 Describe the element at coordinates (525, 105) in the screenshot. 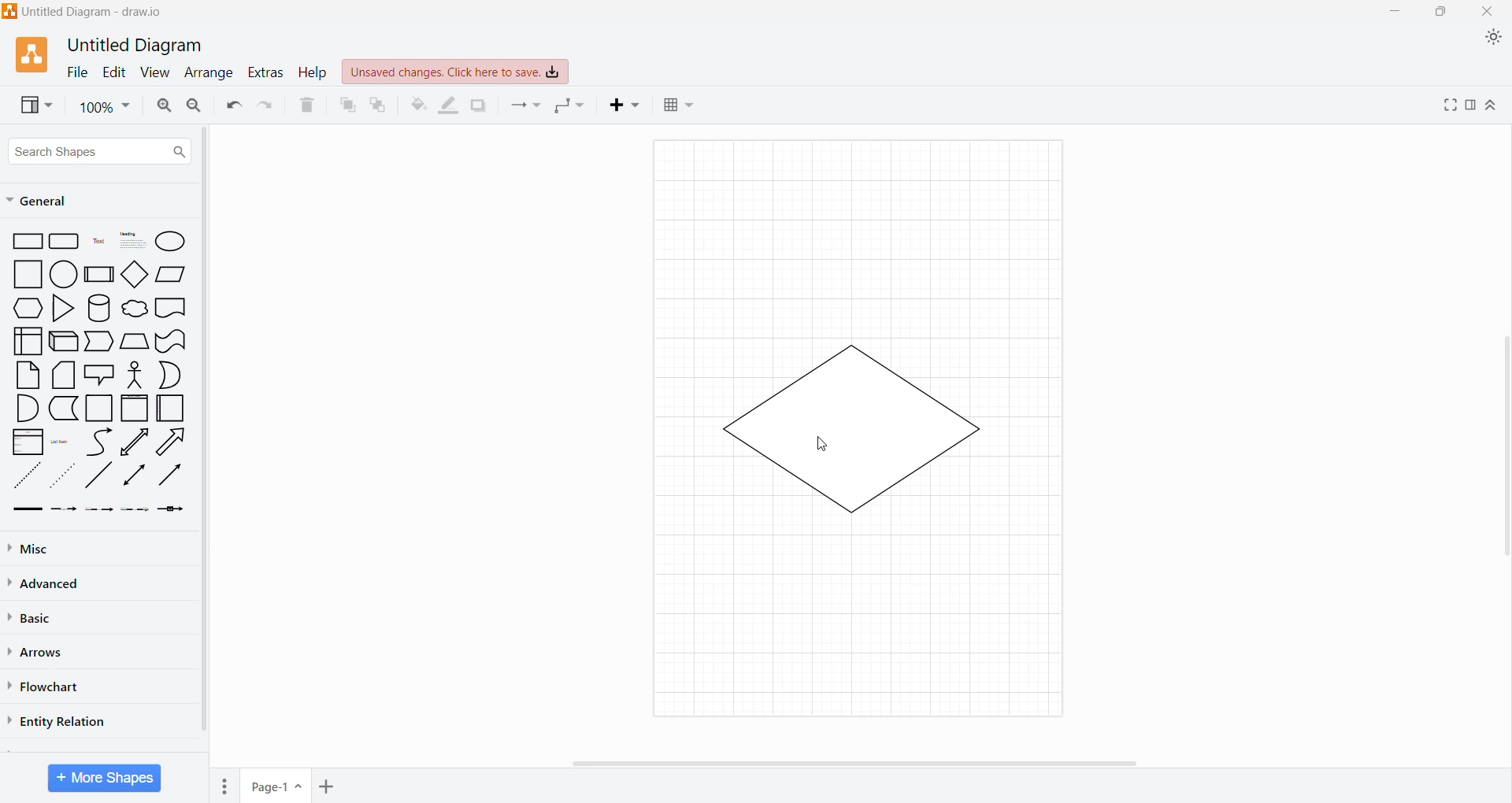

I see `Connection` at that location.